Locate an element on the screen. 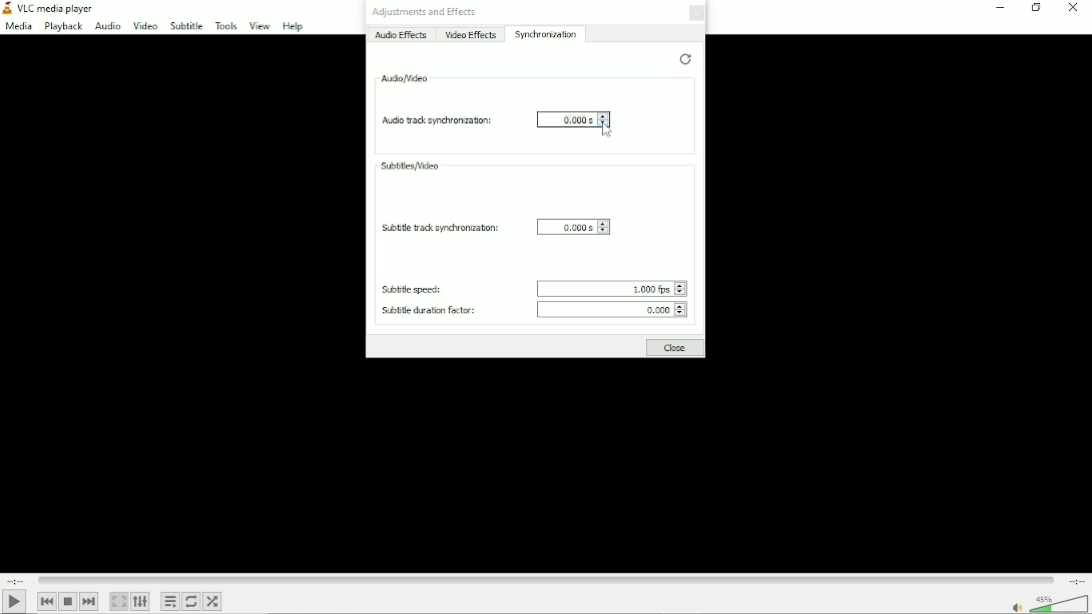 Image resolution: width=1092 pixels, height=614 pixels. Toggle loop all, loop one and no loop is located at coordinates (192, 602).